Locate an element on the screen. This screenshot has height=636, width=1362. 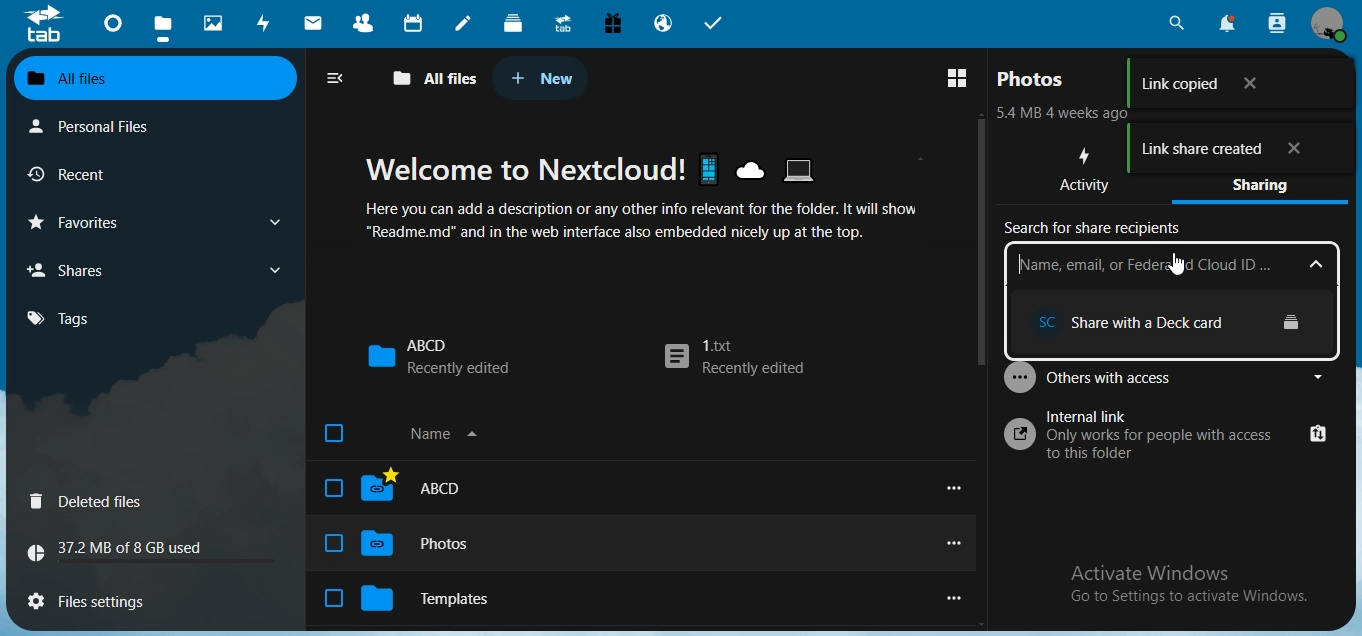
all files is located at coordinates (152, 79).